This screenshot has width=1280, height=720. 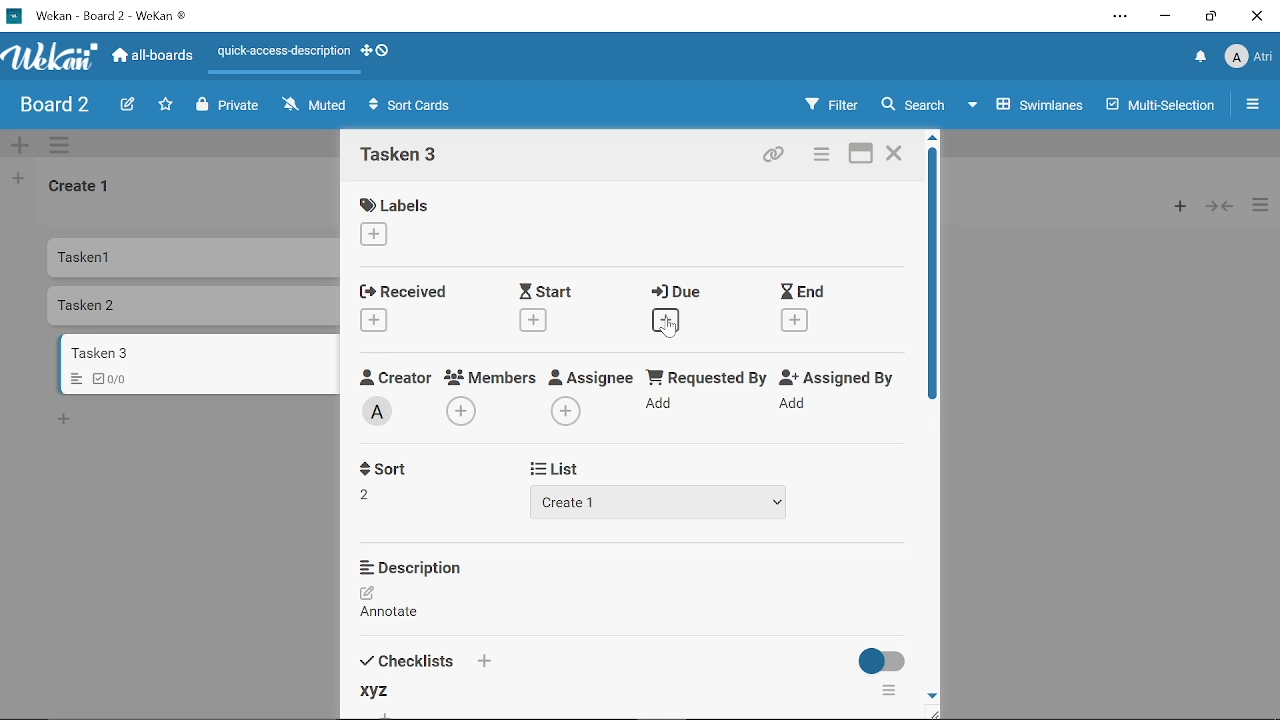 What do you see at coordinates (1178, 207) in the screenshot?
I see `Add card to the top of the list` at bounding box center [1178, 207].